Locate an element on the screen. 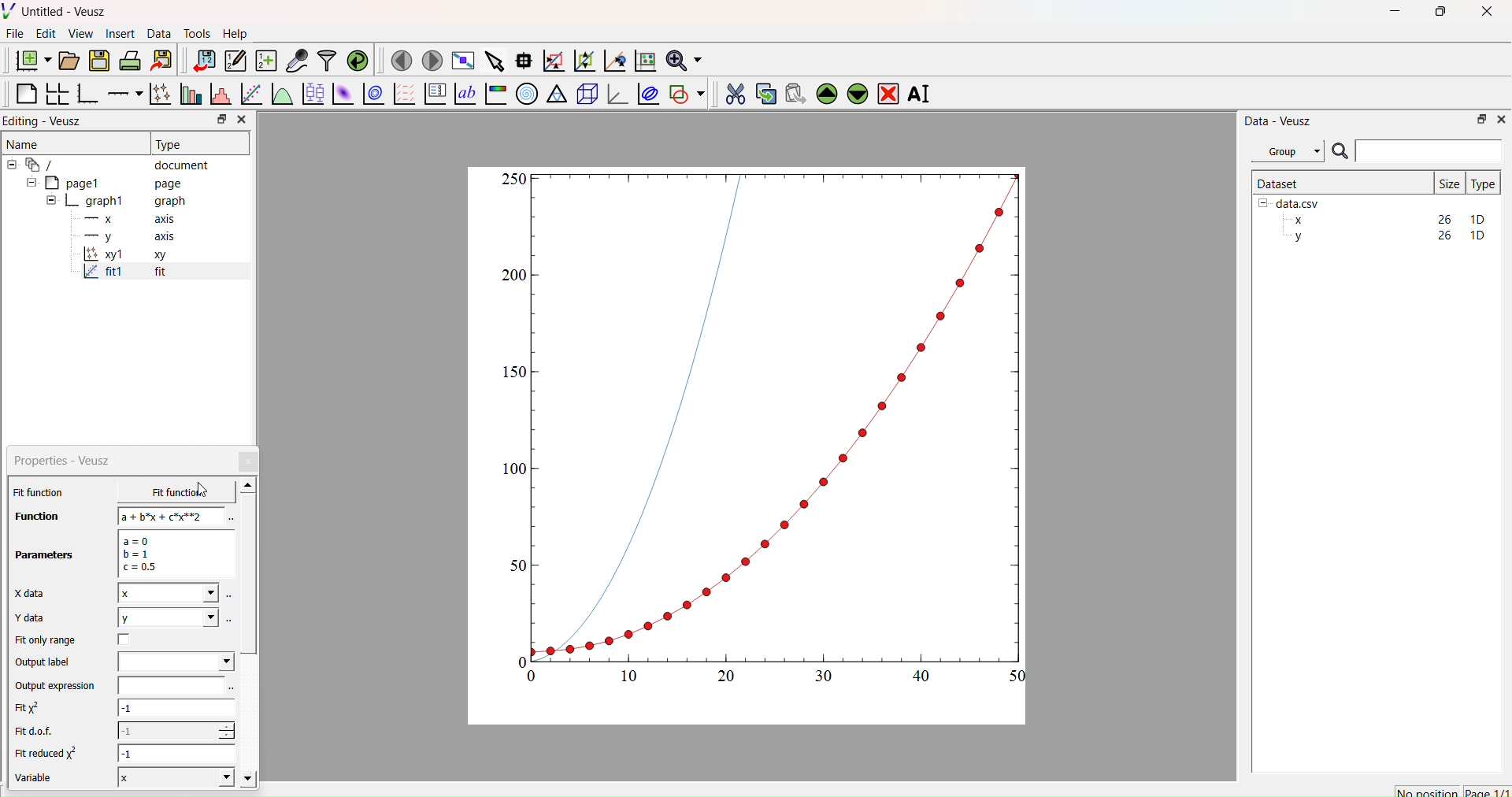 The width and height of the screenshot is (1512, 797). data.csv is located at coordinates (1291, 202).